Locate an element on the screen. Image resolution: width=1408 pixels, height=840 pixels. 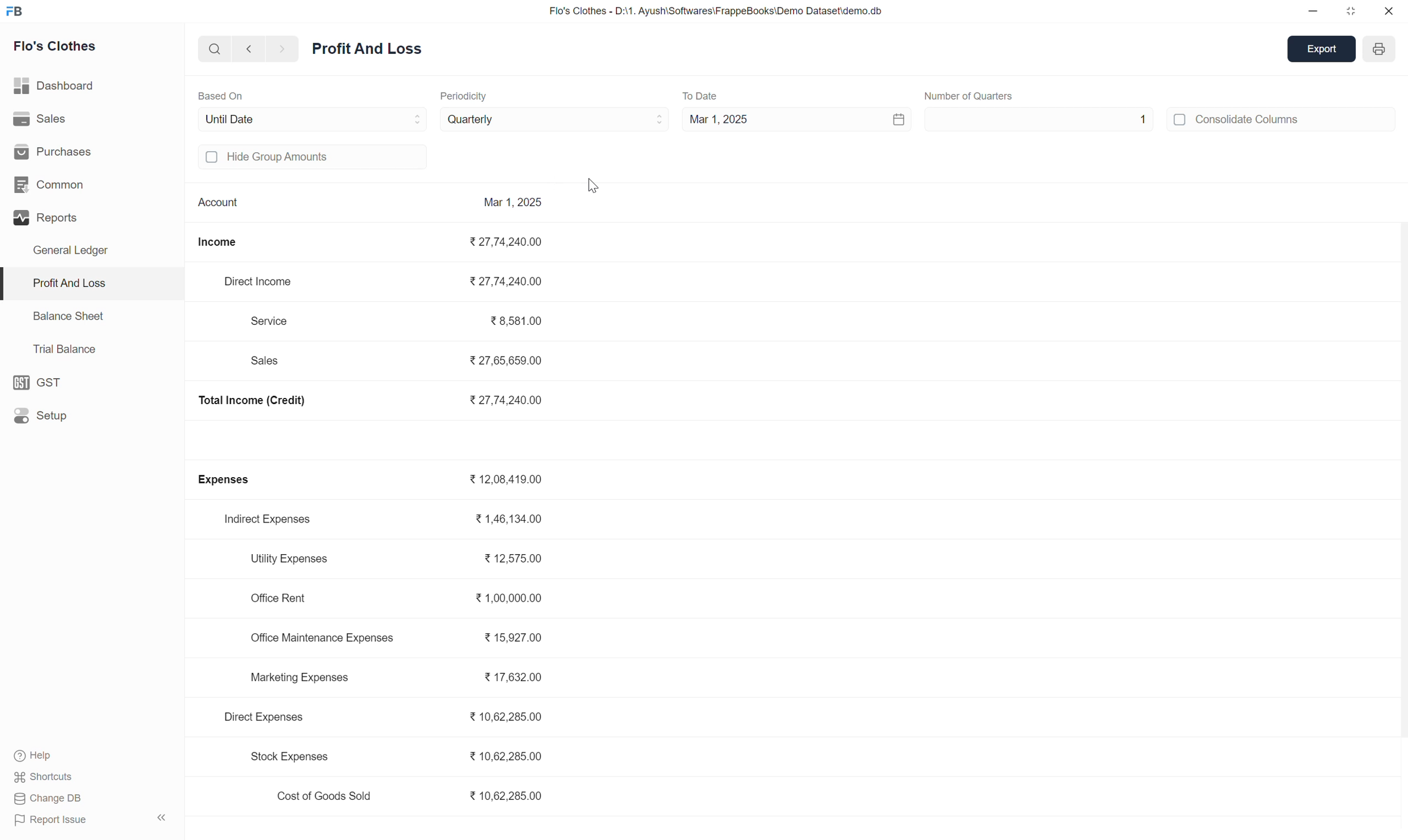
Sales is located at coordinates (270, 361).